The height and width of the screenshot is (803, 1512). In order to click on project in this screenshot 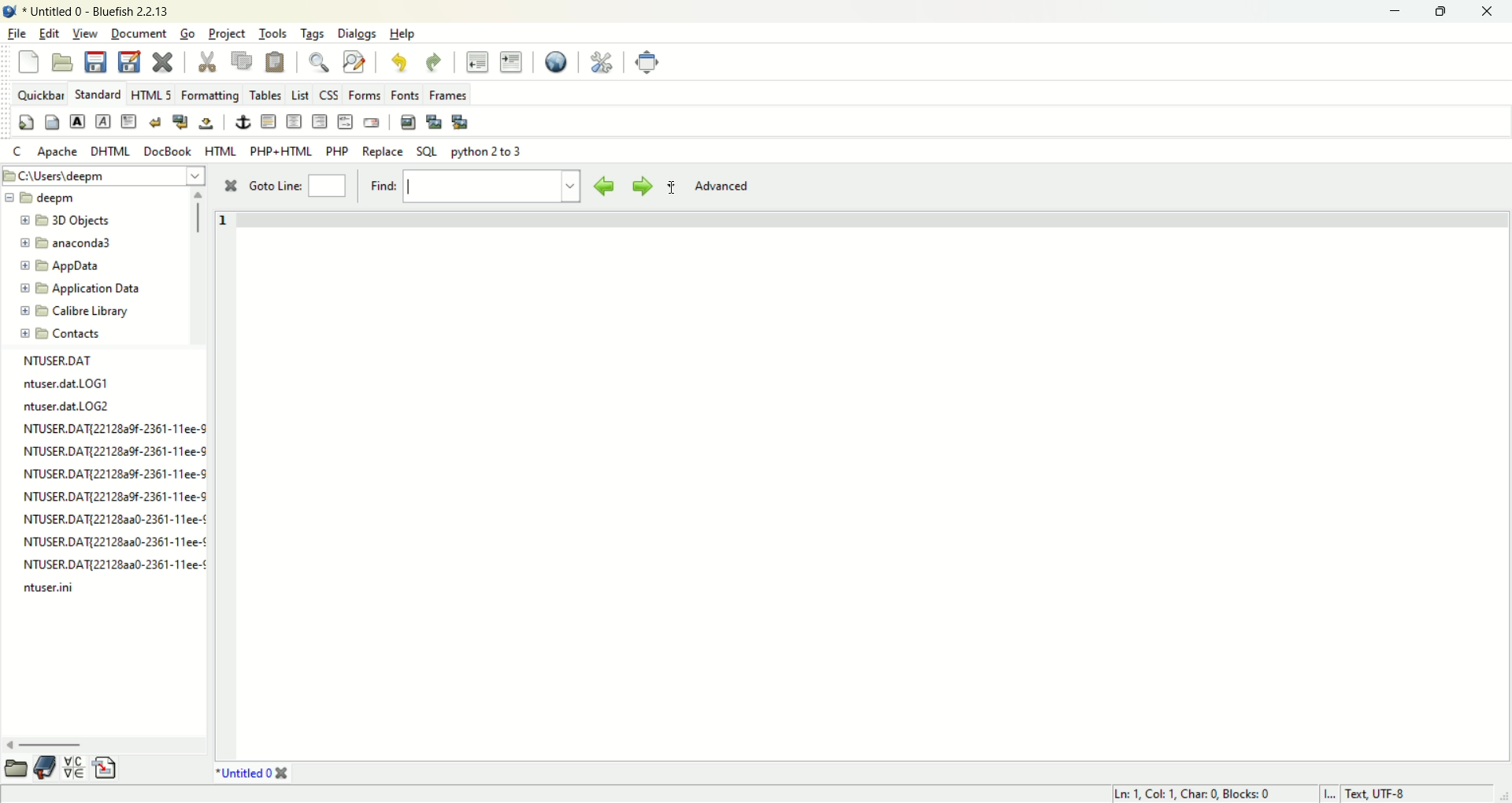, I will do `click(229, 34)`.